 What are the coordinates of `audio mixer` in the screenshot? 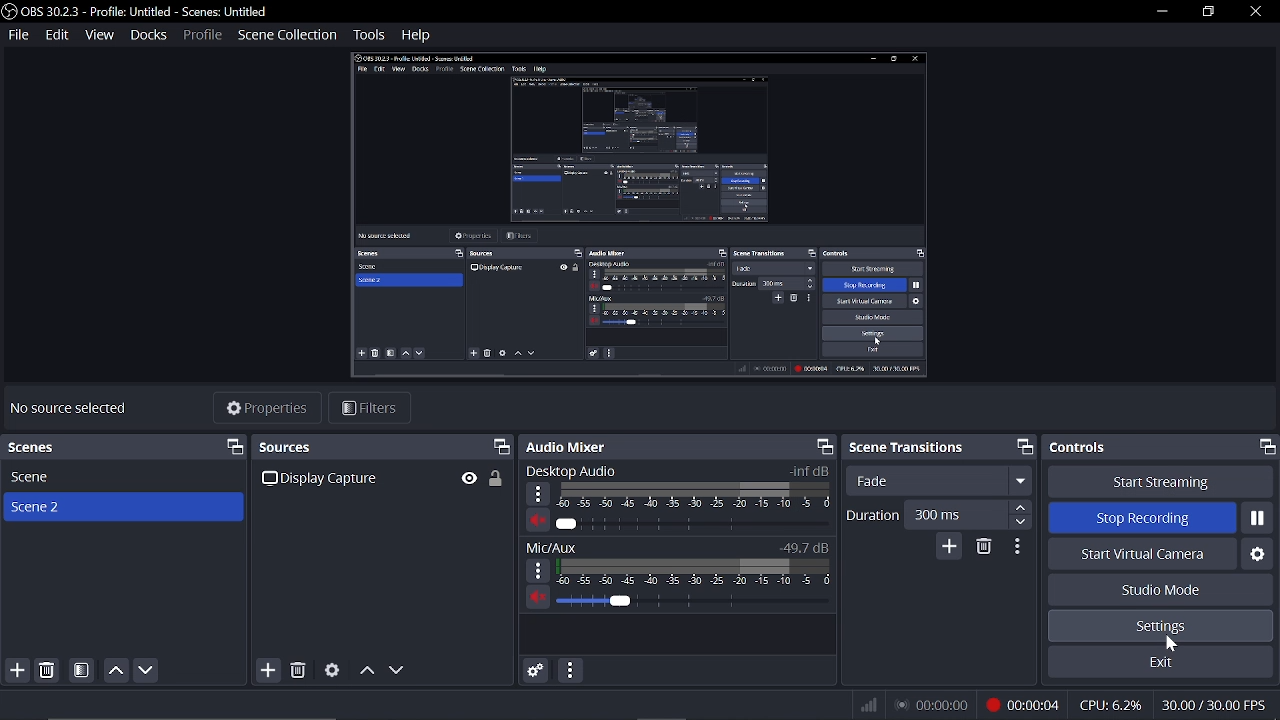 It's located at (574, 445).